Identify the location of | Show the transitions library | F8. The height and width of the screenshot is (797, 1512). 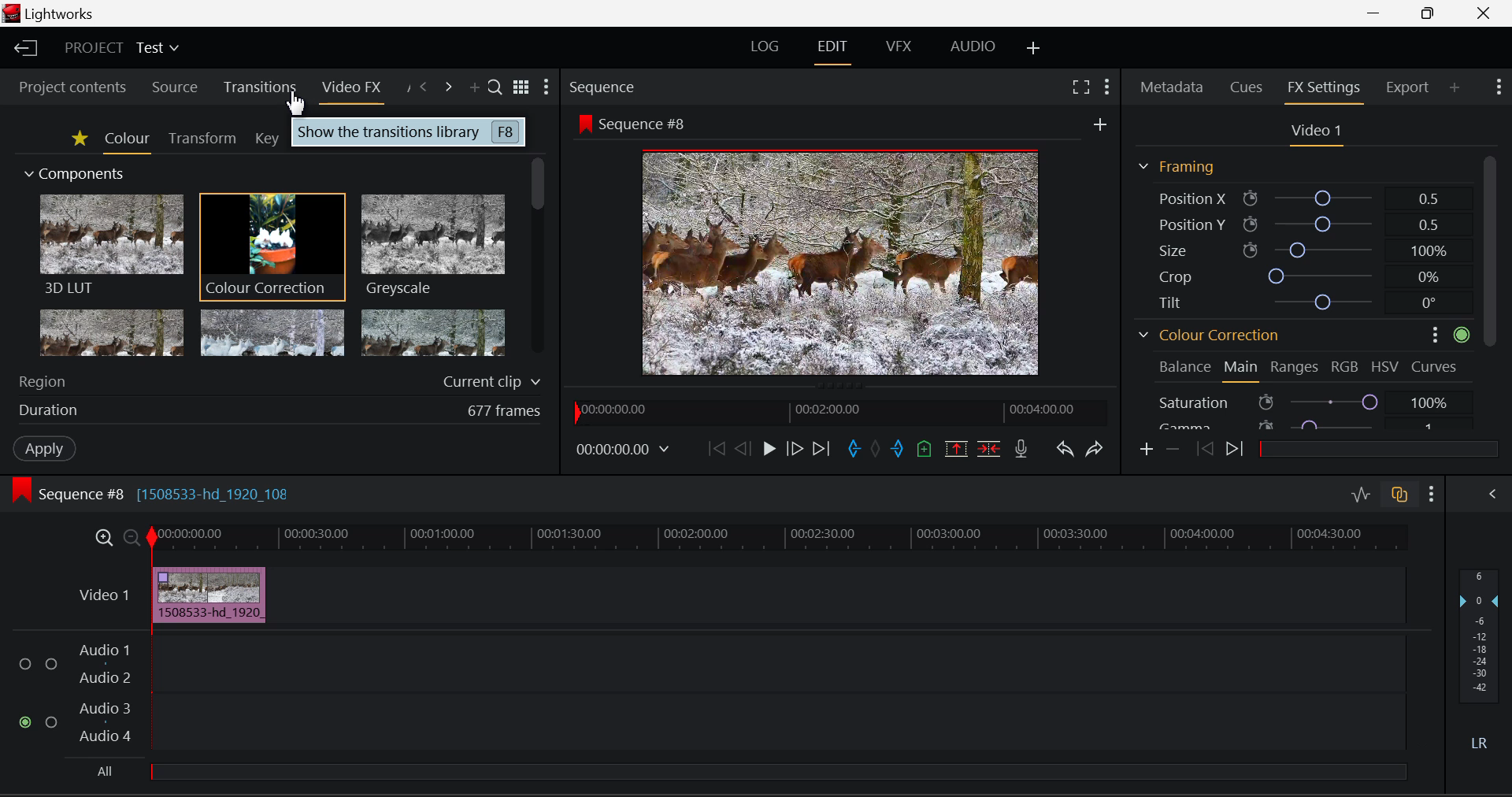
(408, 133).